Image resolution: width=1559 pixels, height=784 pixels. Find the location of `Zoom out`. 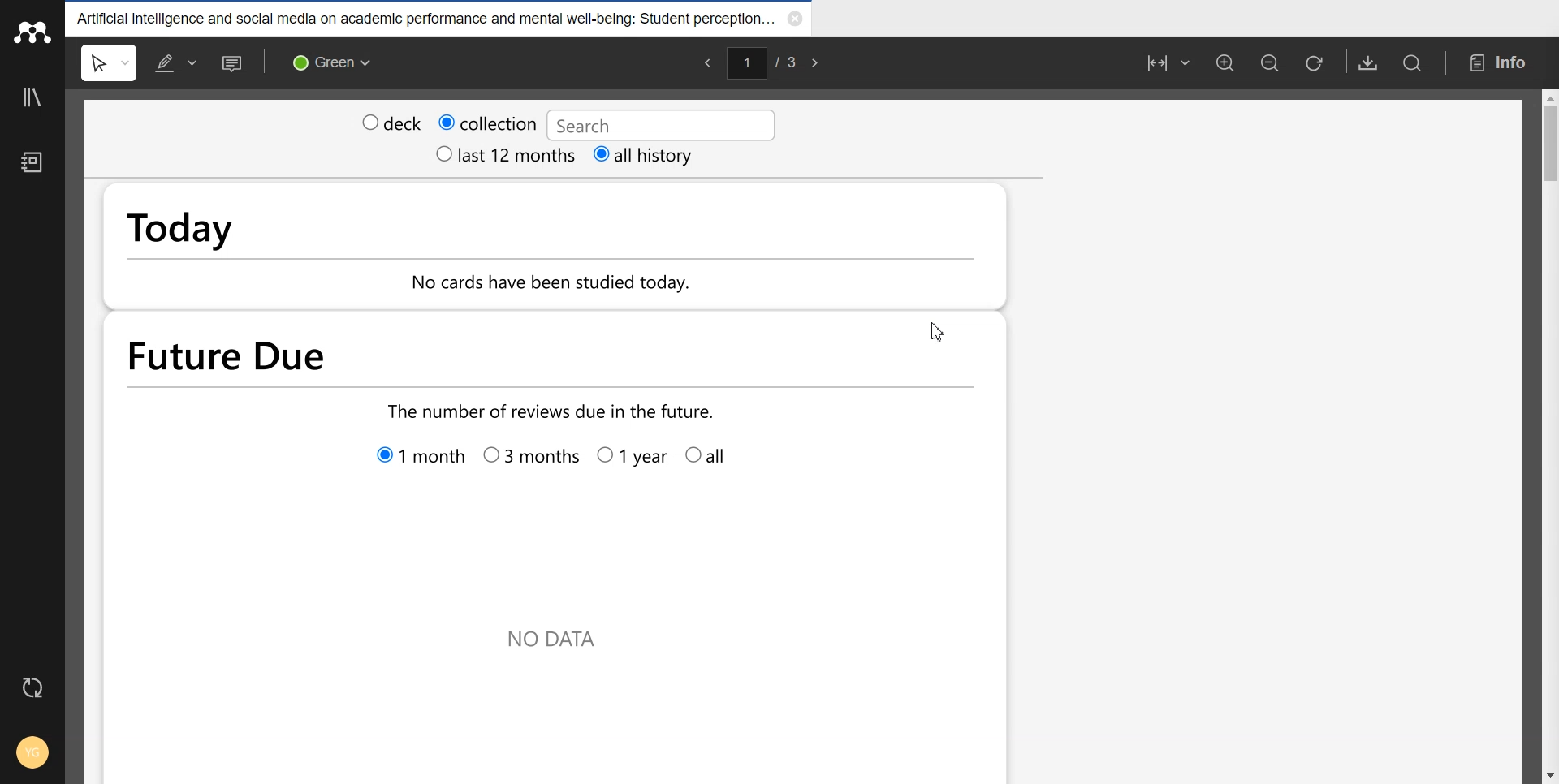

Zoom out is located at coordinates (1266, 63).